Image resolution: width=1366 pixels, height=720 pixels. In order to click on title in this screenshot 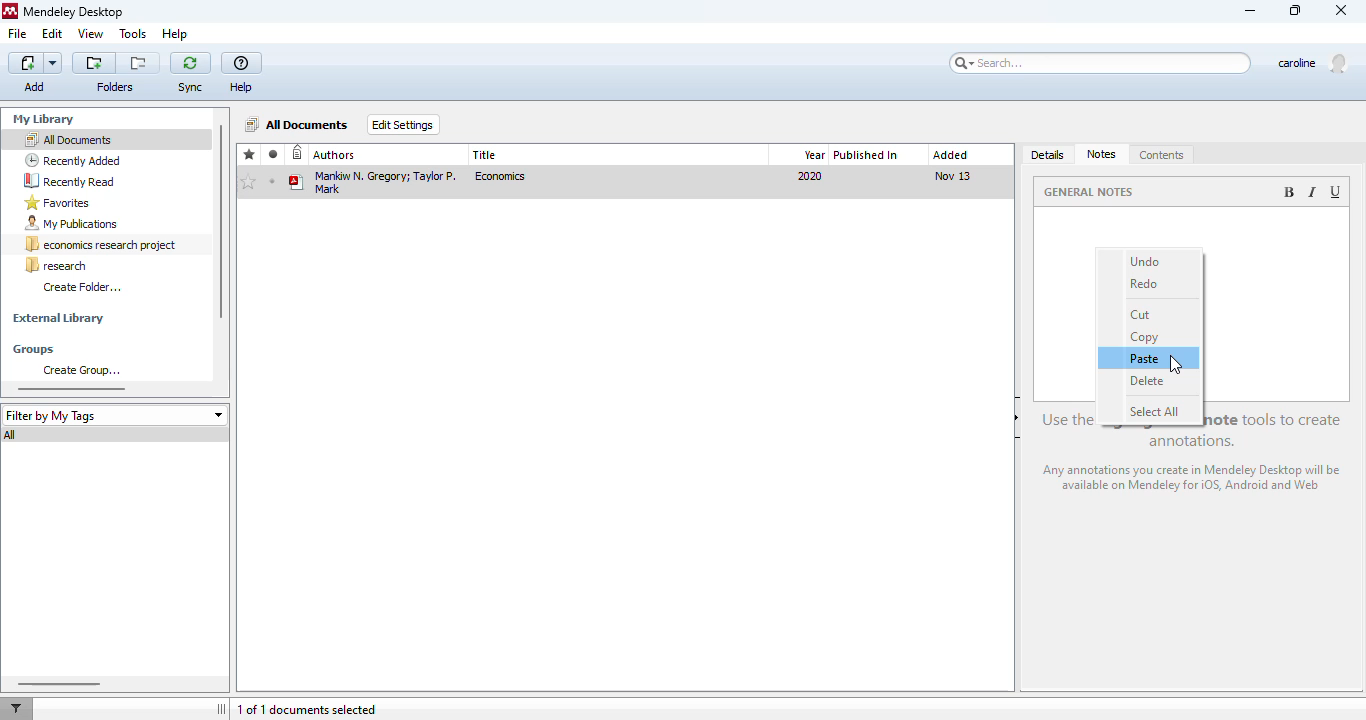, I will do `click(486, 155)`.